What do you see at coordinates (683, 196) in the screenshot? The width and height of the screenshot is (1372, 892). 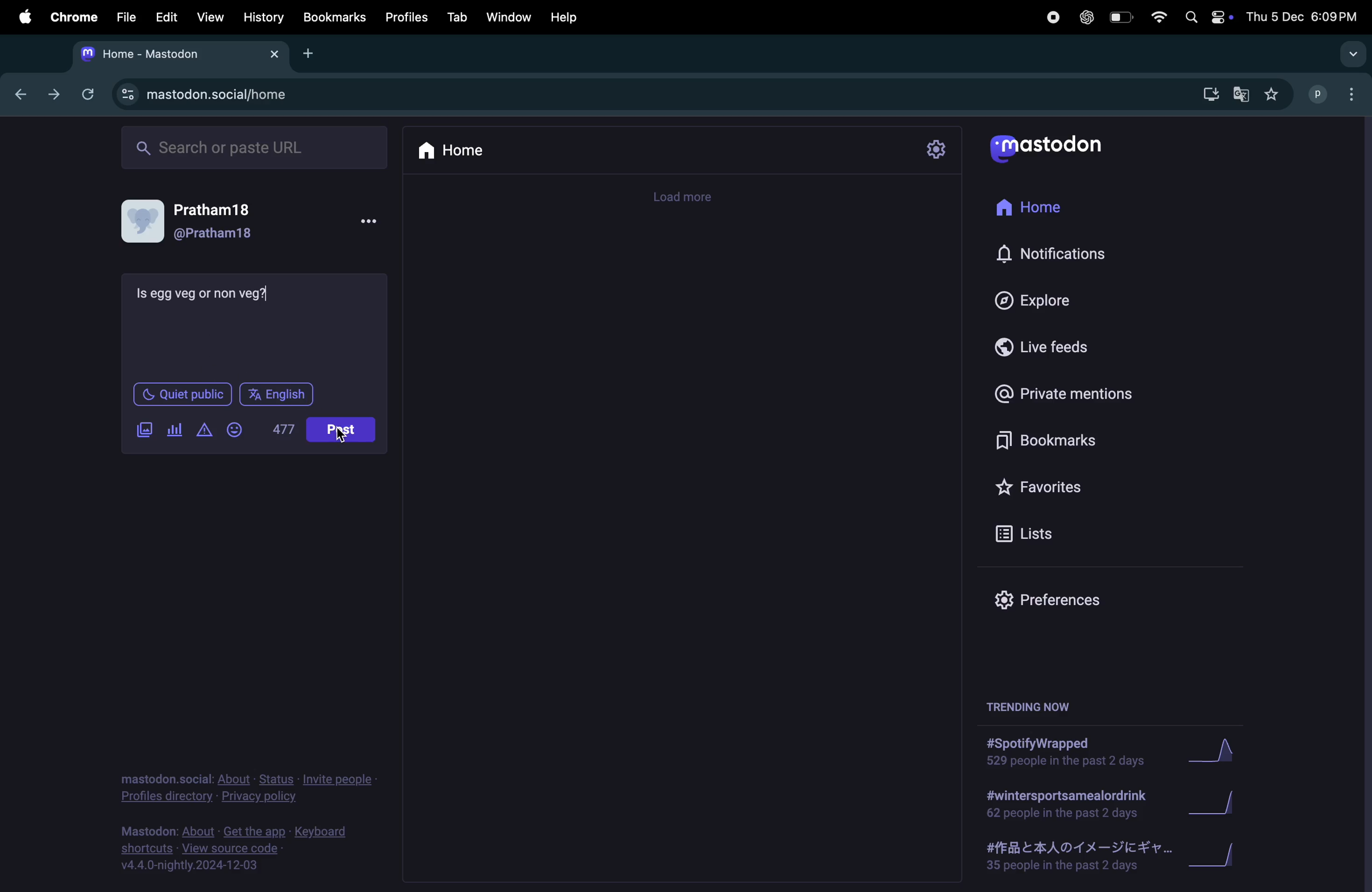 I see `load more` at bounding box center [683, 196].